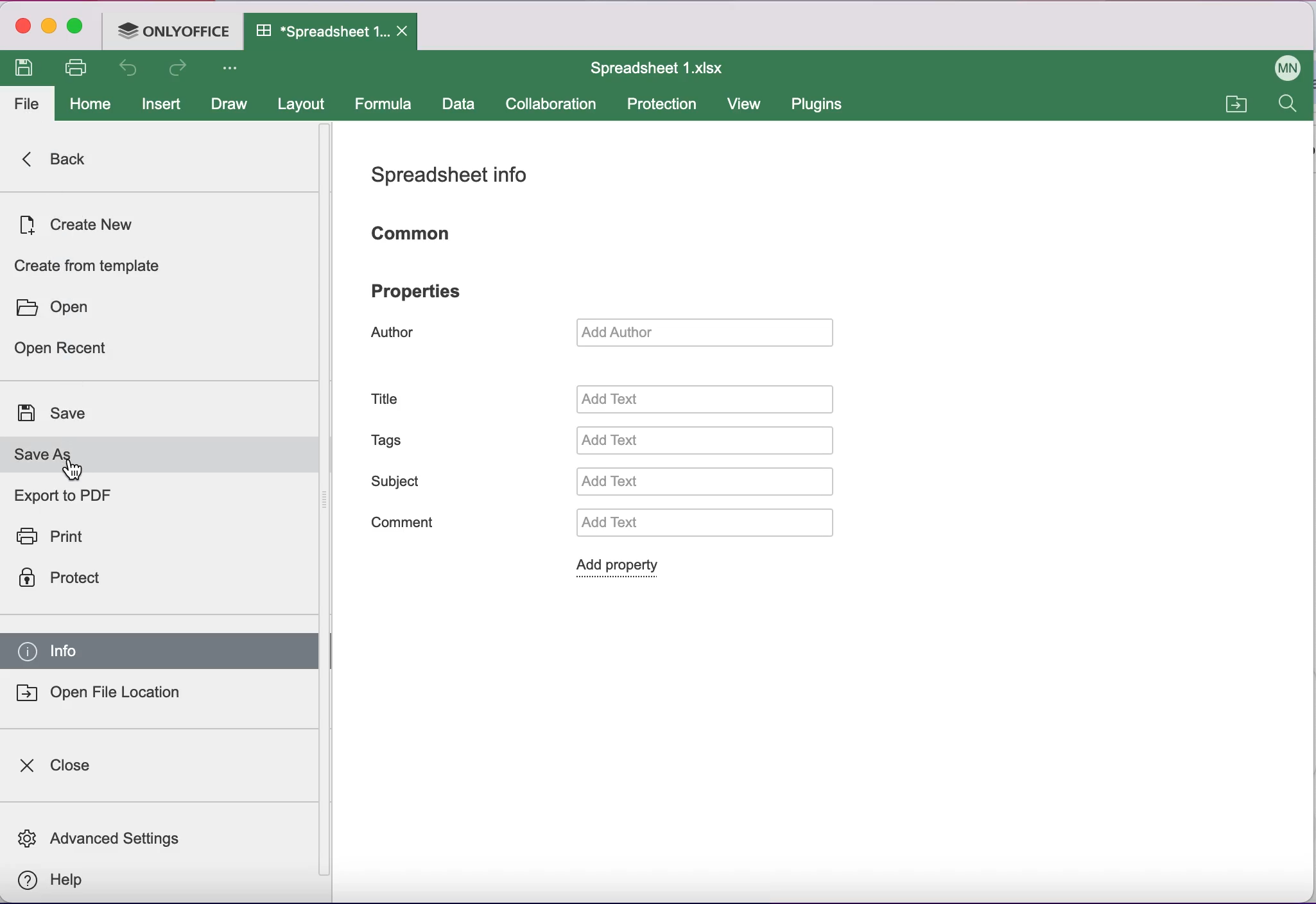 This screenshot has height=904, width=1316. What do you see at coordinates (330, 33) in the screenshot?
I see `tab` at bounding box center [330, 33].